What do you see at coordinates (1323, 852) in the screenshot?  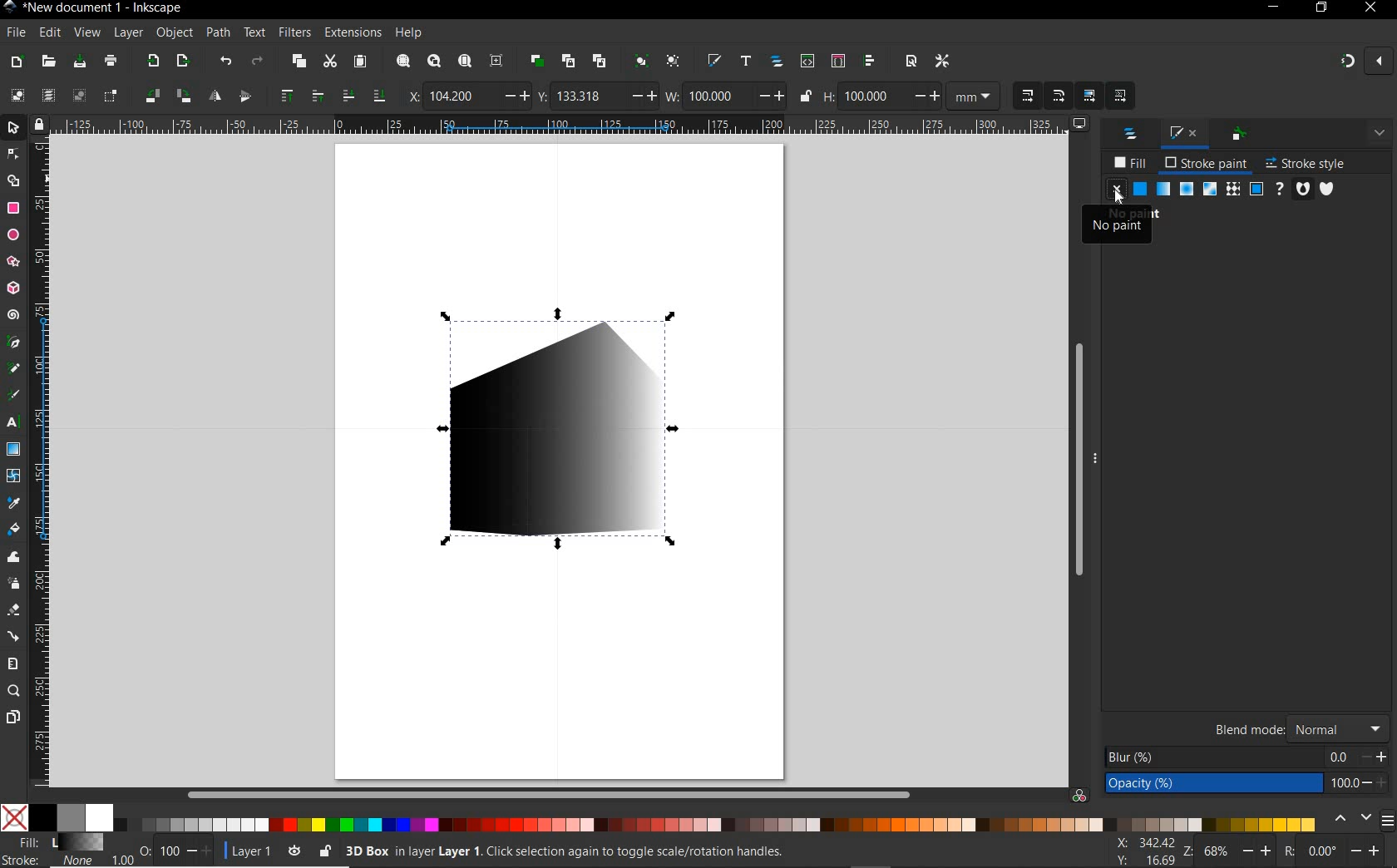 I see `0` at bounding box center [1323, 852].